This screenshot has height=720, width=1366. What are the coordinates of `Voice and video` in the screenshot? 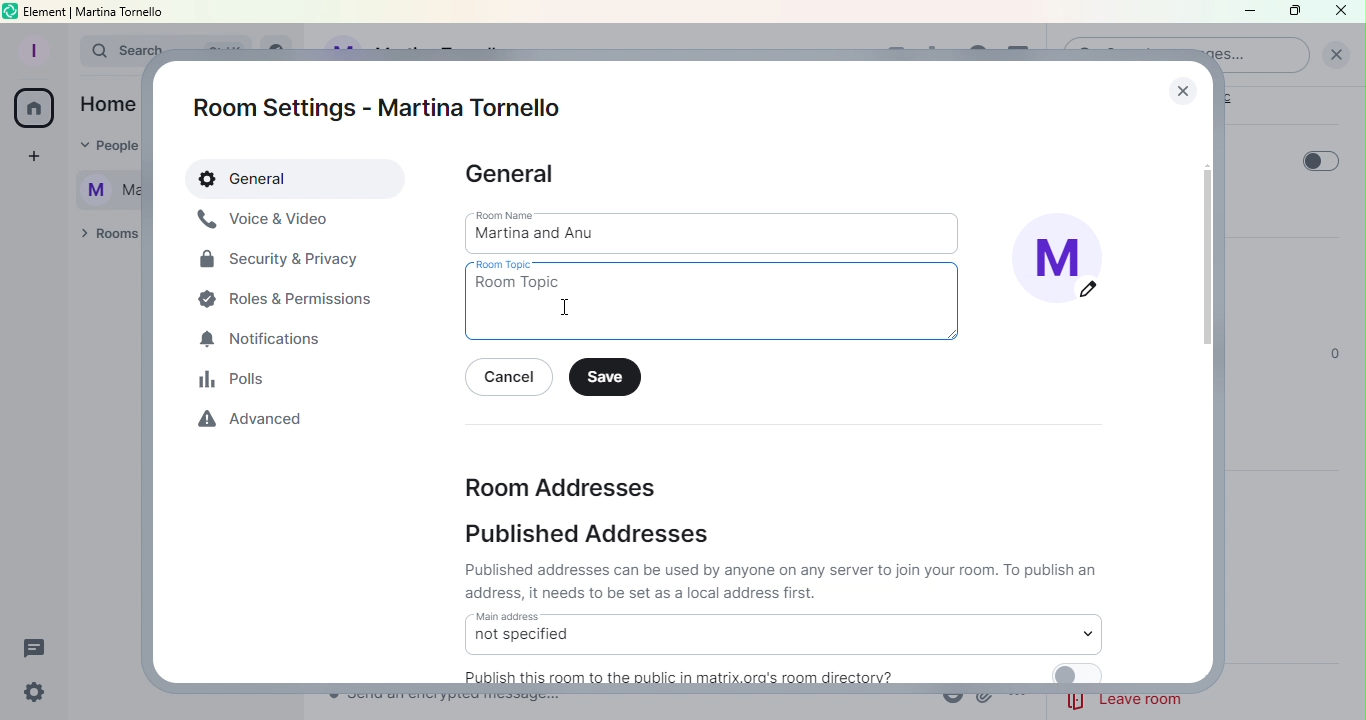 It's located at (265, 220).